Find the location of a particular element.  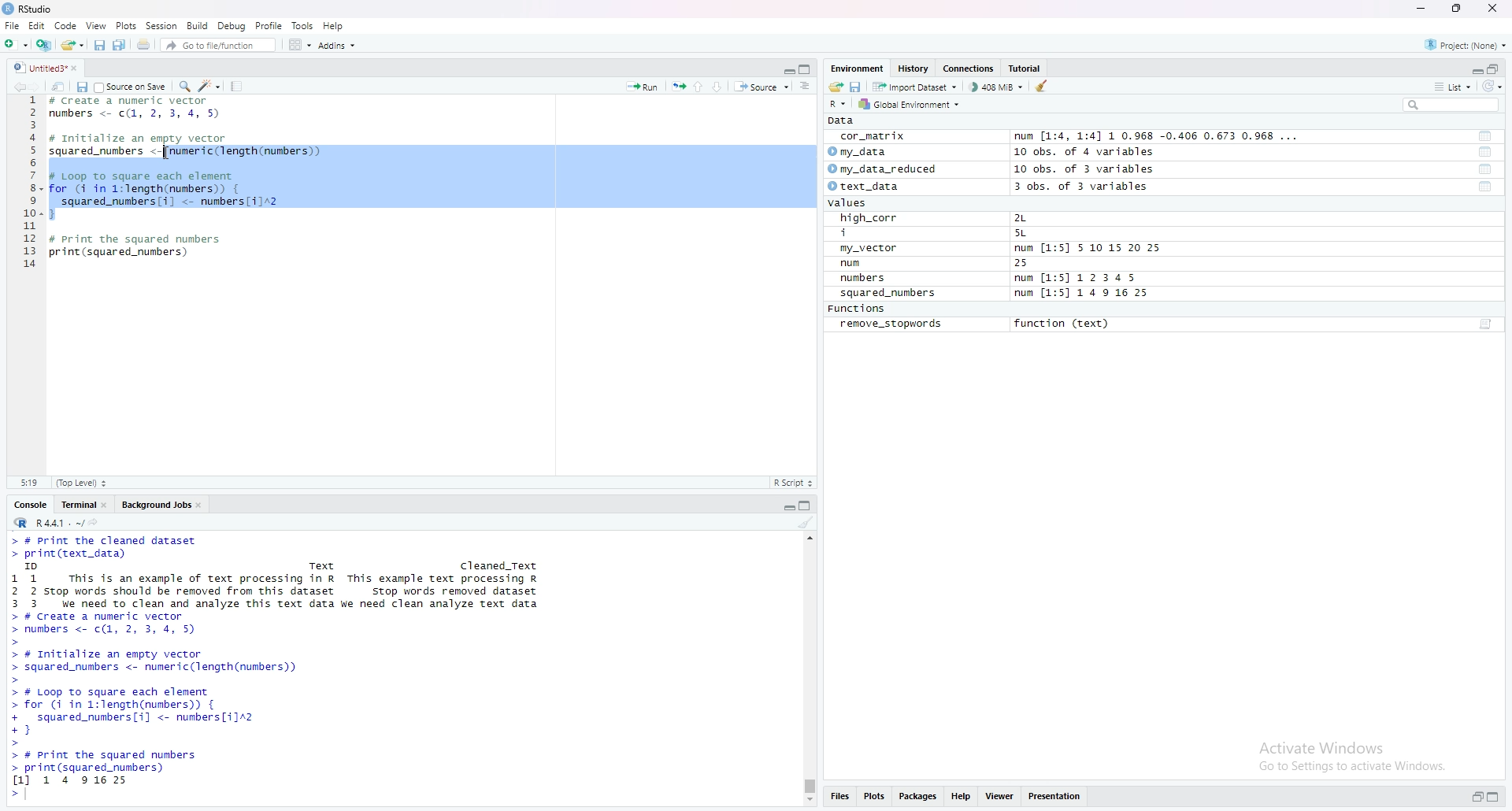

close is located at coordinates (107, 503).